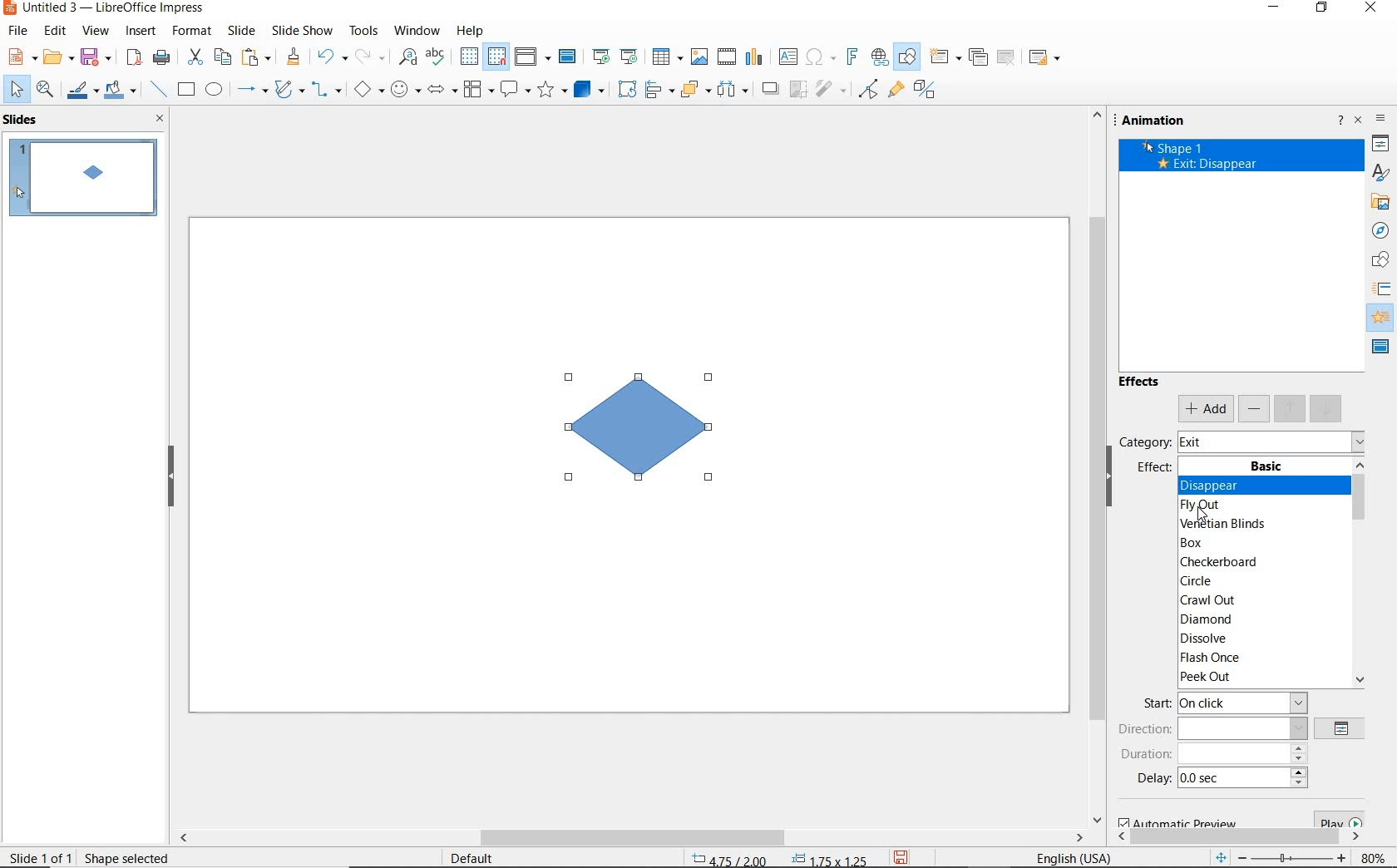  What do you see at coordinates (245, 32) in the screenshot?
I see `slide` at bounding box center [245, 32].